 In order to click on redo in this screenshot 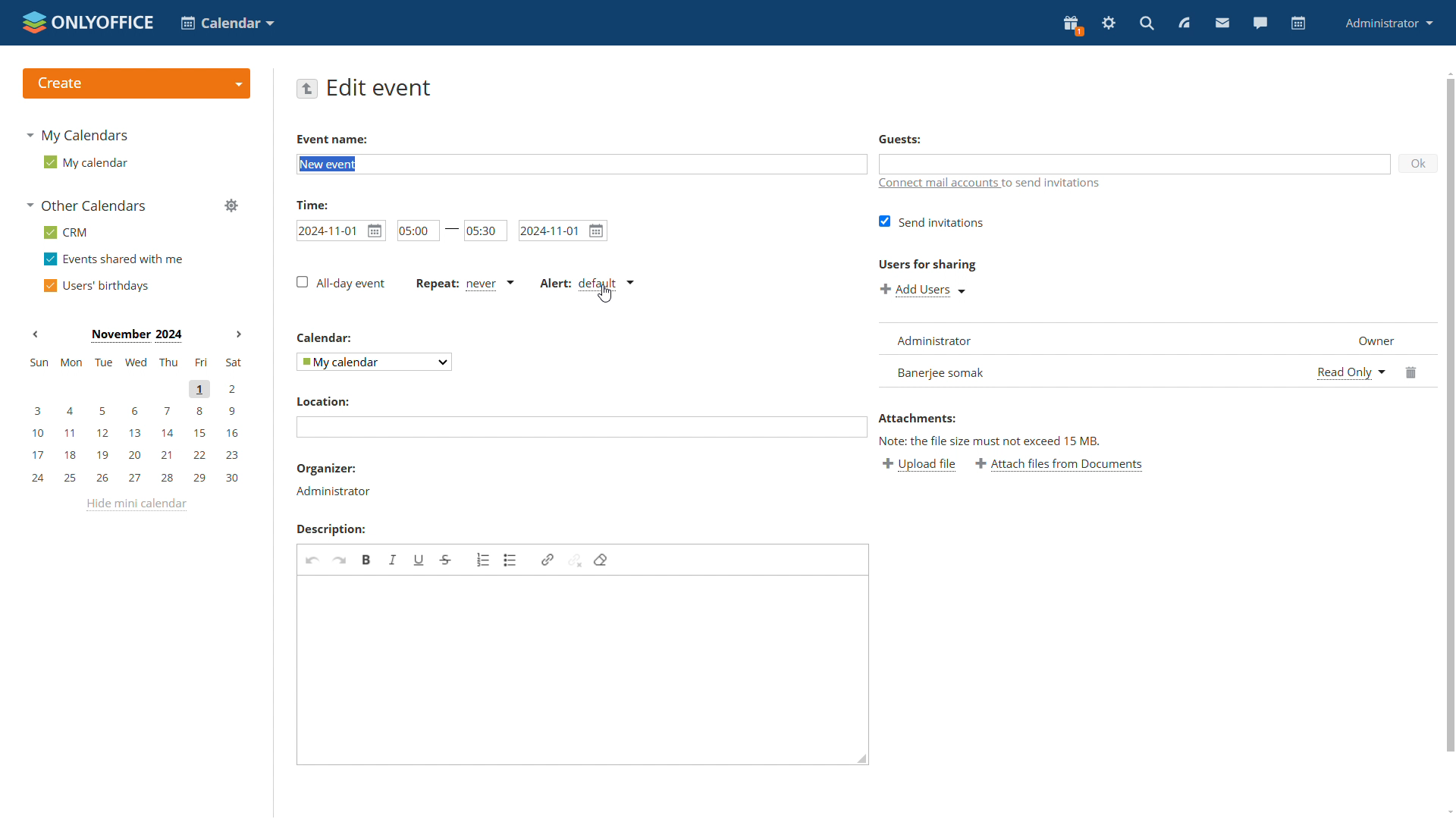, I will do `click(340, 561)`.